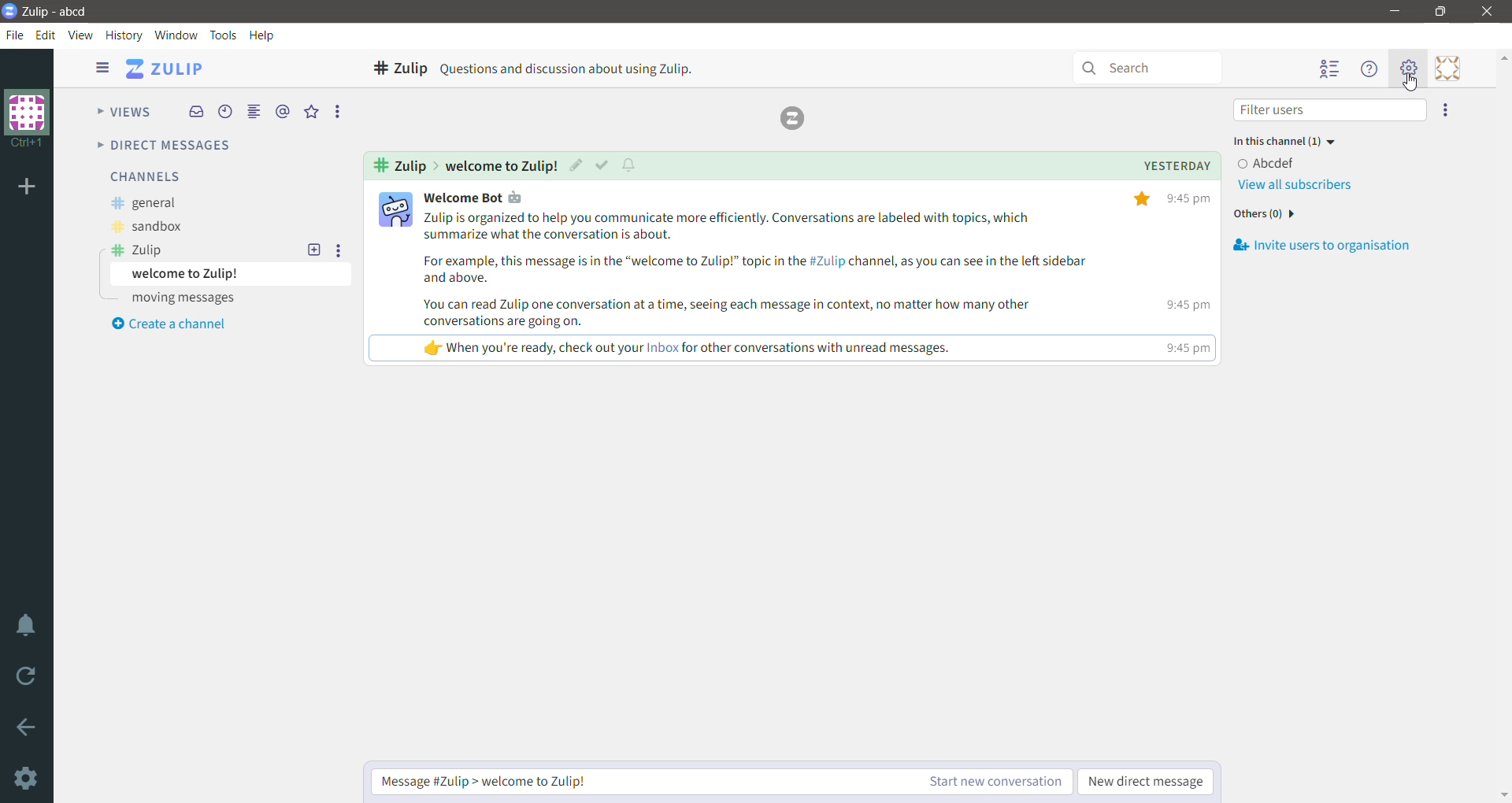  I want to click on Views, so click(117, 113).